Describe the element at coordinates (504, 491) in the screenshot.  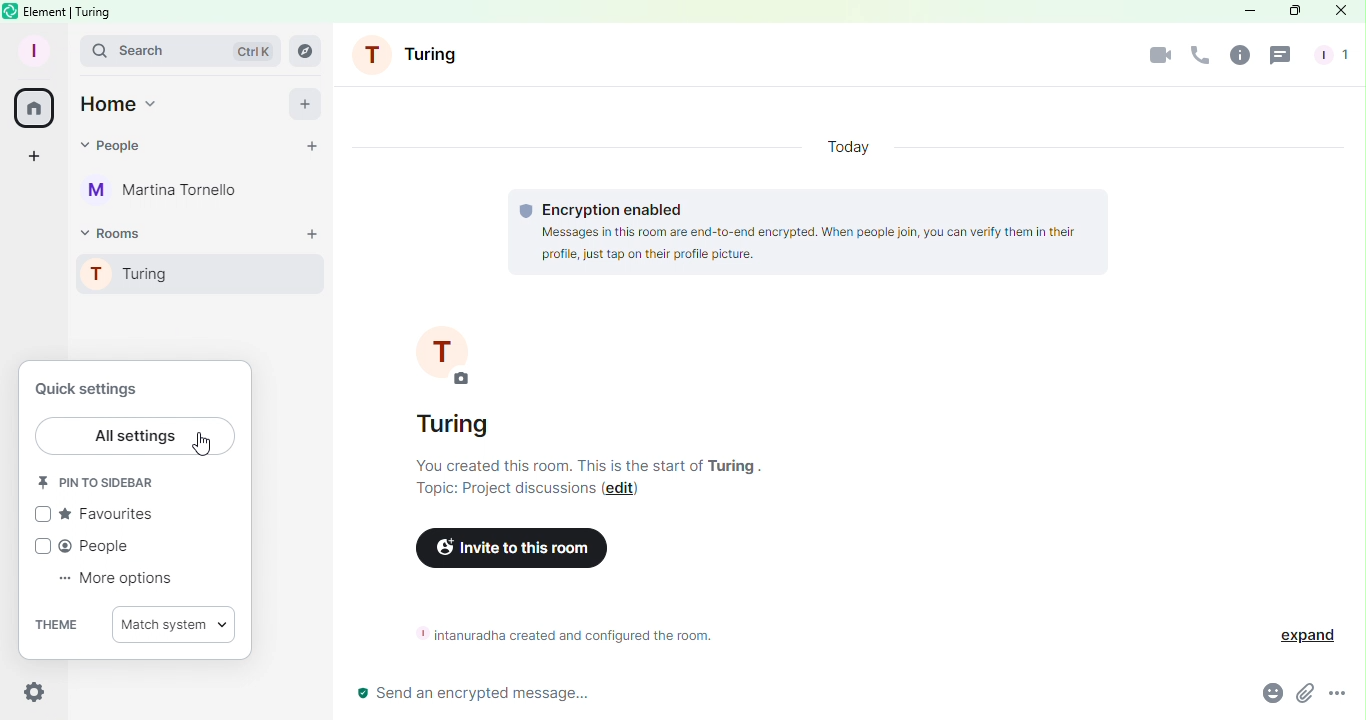
I see `Topic` at that location.